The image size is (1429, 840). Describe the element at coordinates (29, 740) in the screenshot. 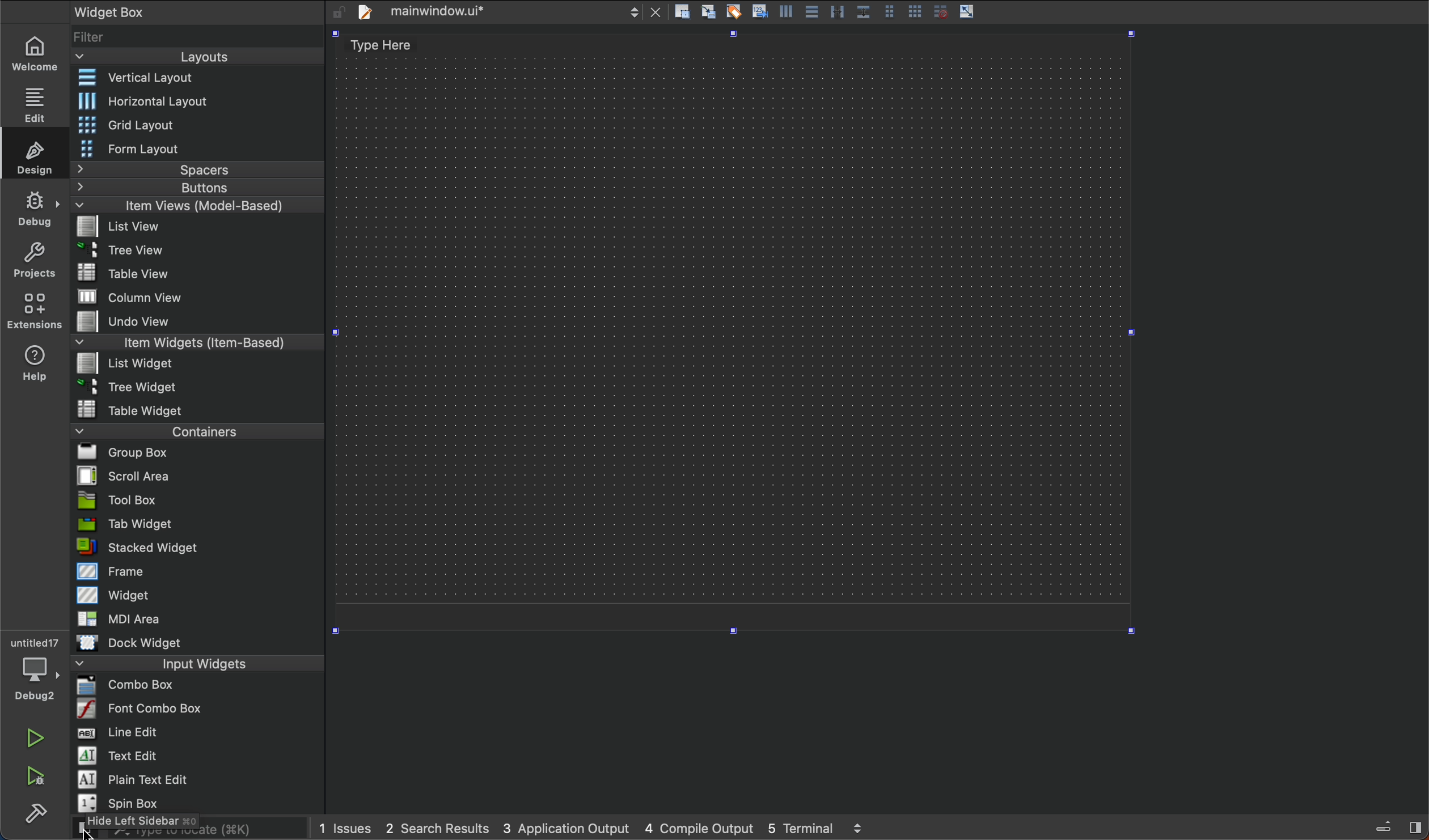

I see `run` at that location.